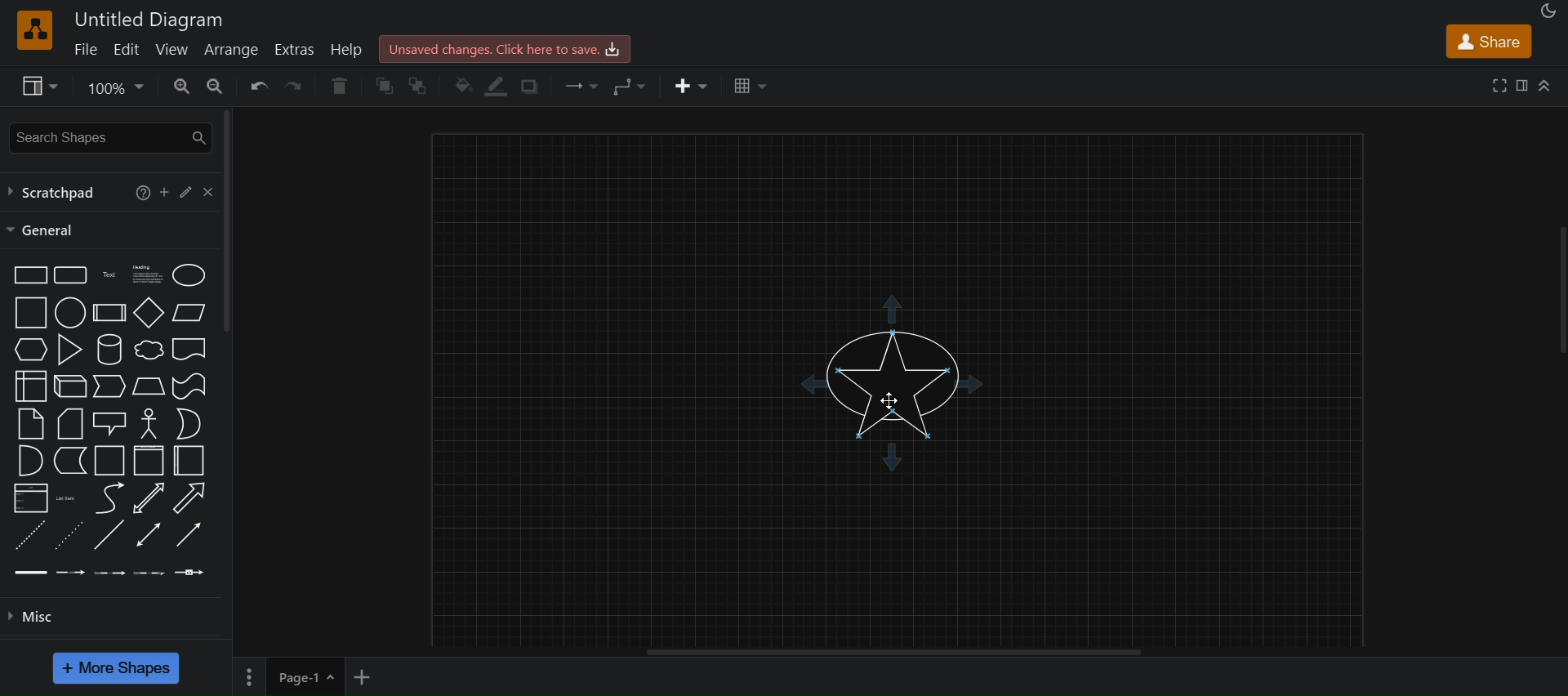  I want to click on add, so click(165, 191).